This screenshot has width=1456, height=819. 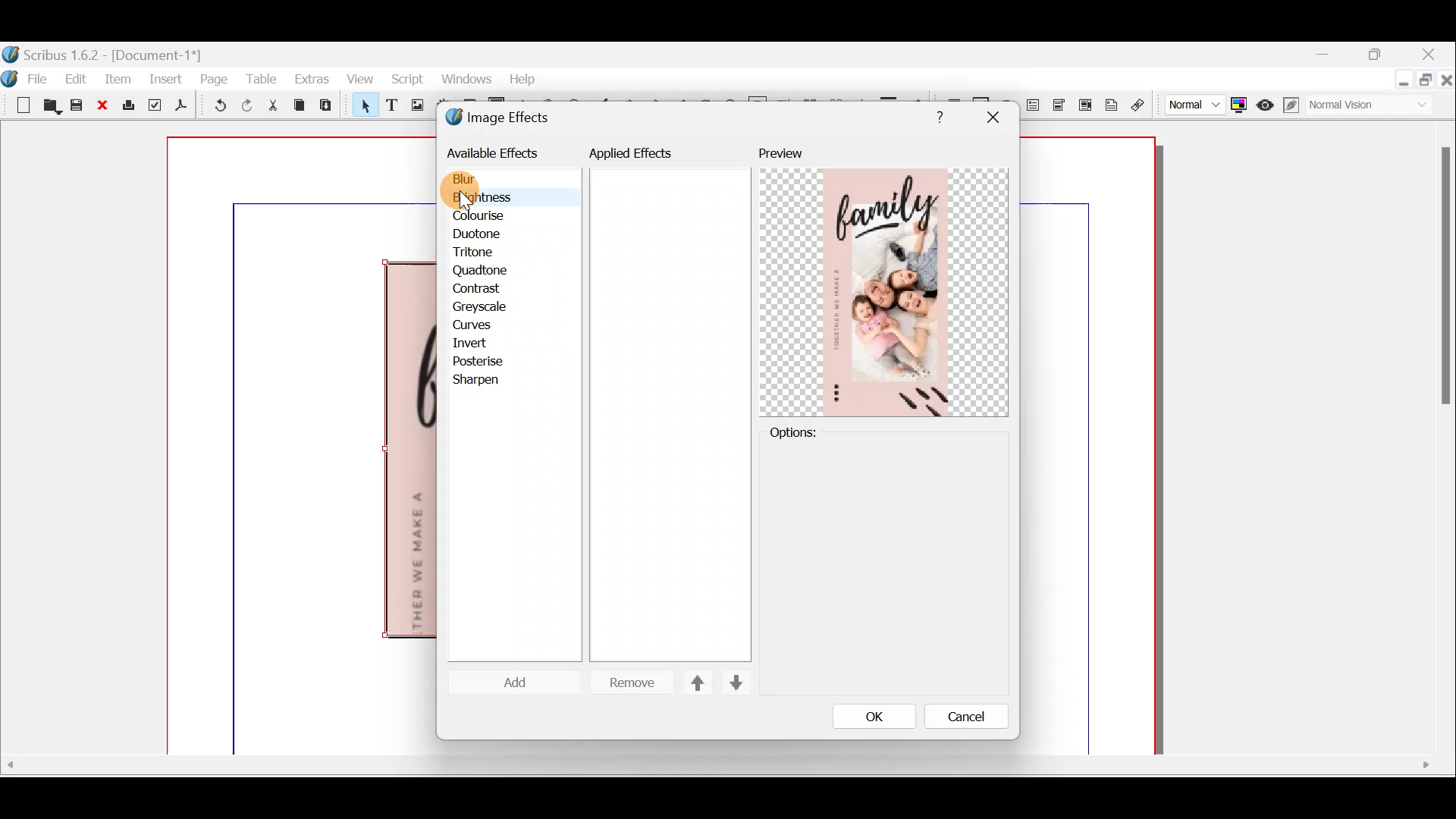 What do you see at coordinates (874, 716) in the screenshot?
I see `OK` at bounding box center [874, 716].